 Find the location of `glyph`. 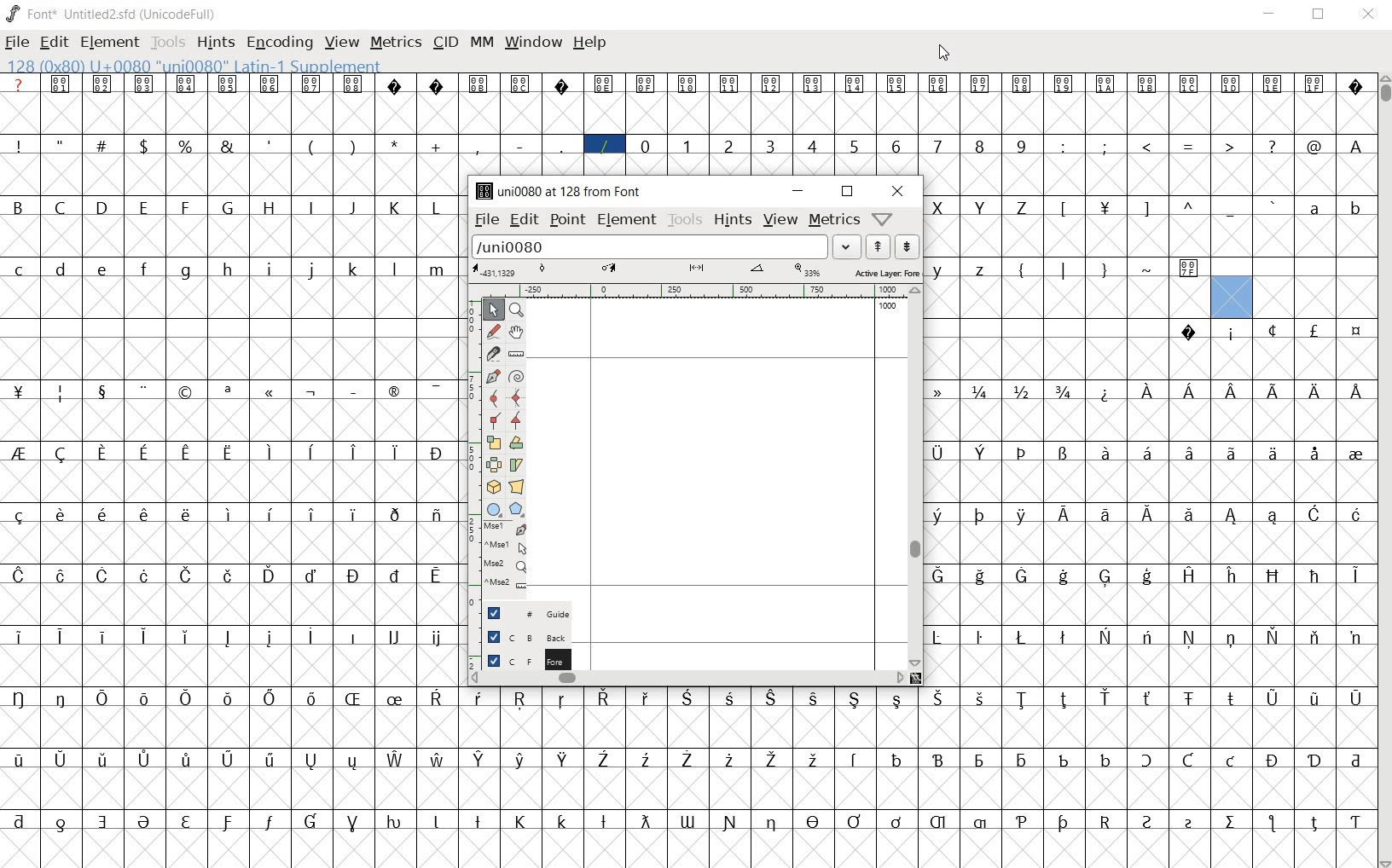

glyph is located at coordinates (1146, 636).